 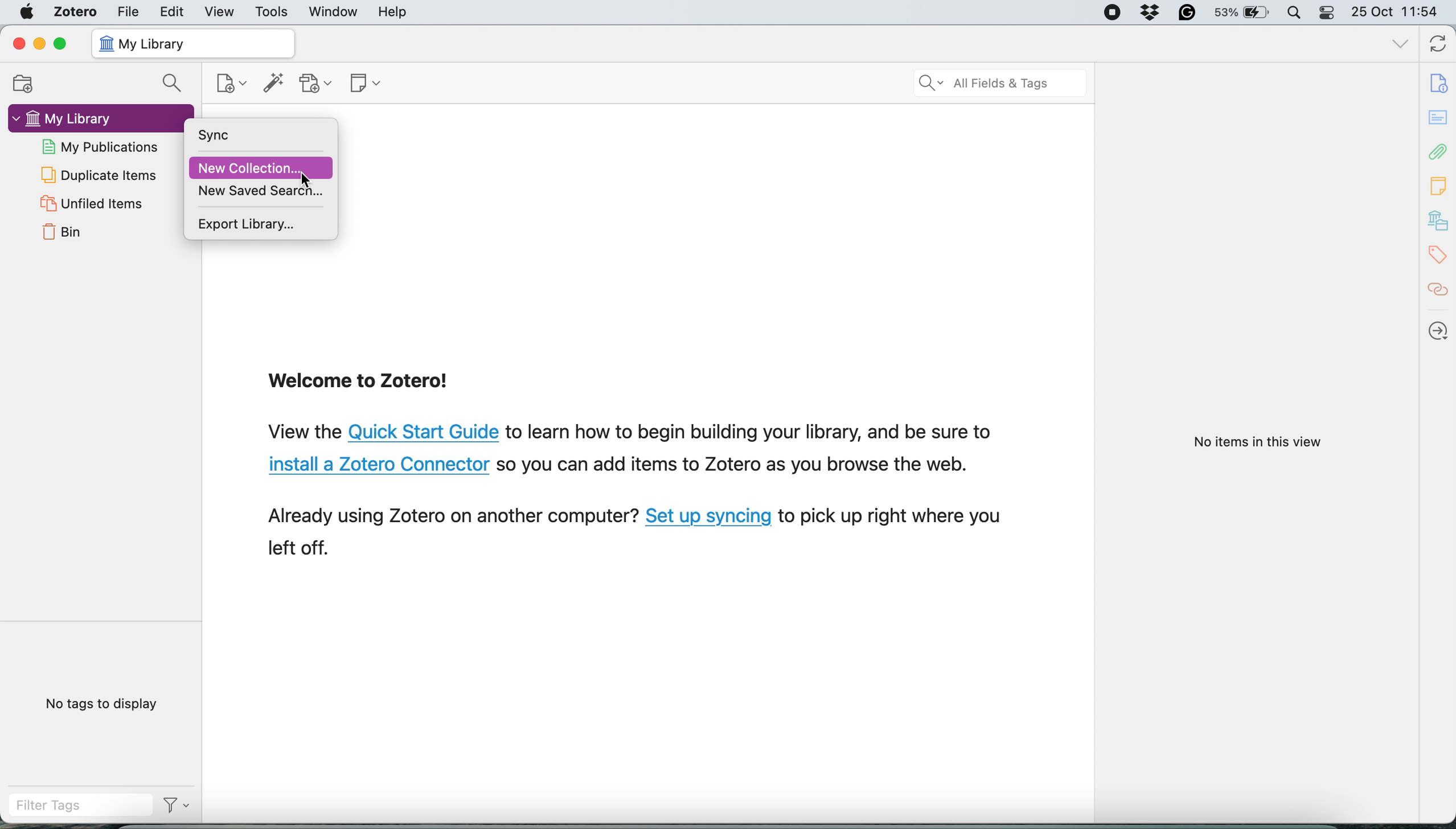 I want to click on minimise, so click(x=41, y=44).